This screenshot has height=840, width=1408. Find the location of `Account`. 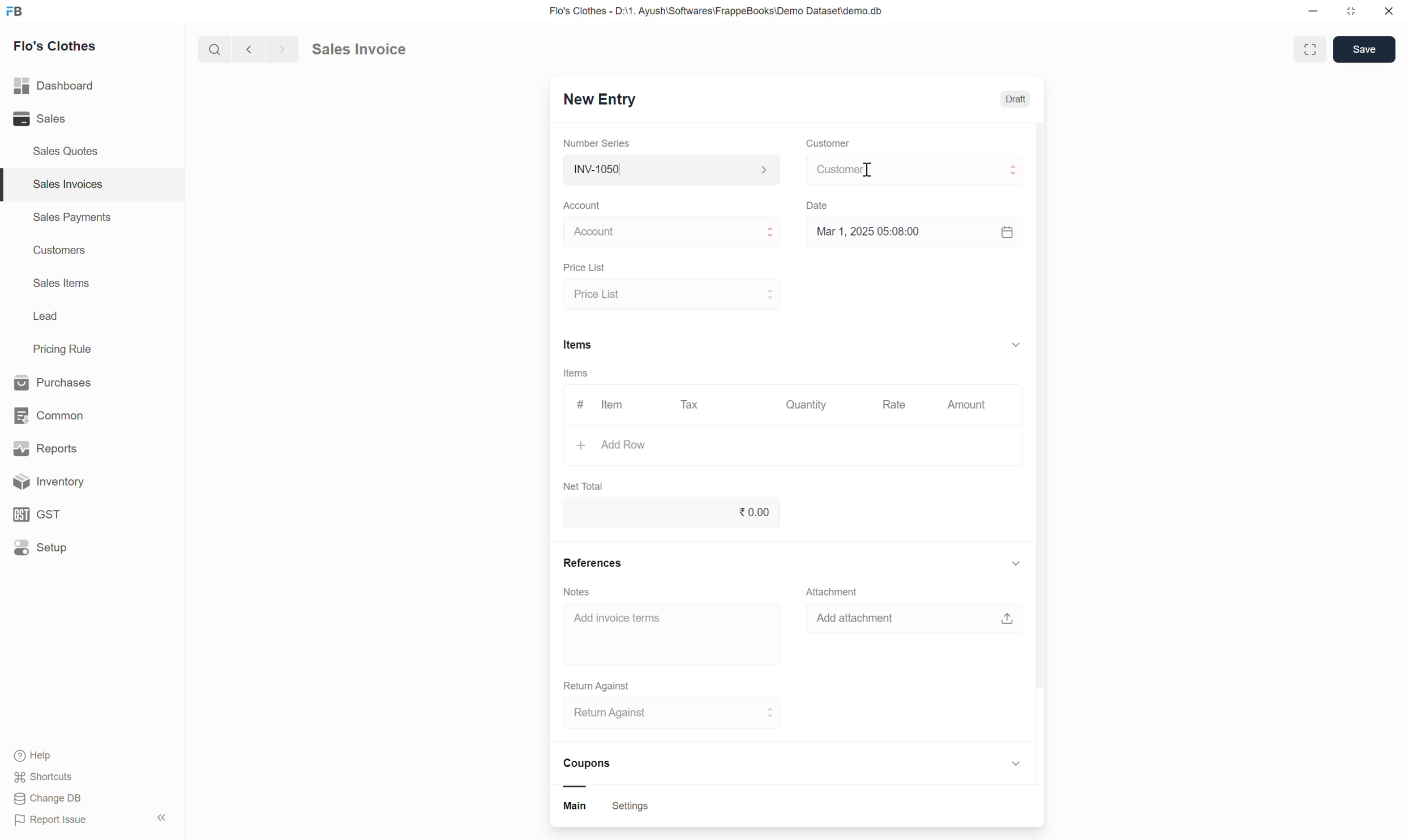

Account is located at coordinates (584, 205).